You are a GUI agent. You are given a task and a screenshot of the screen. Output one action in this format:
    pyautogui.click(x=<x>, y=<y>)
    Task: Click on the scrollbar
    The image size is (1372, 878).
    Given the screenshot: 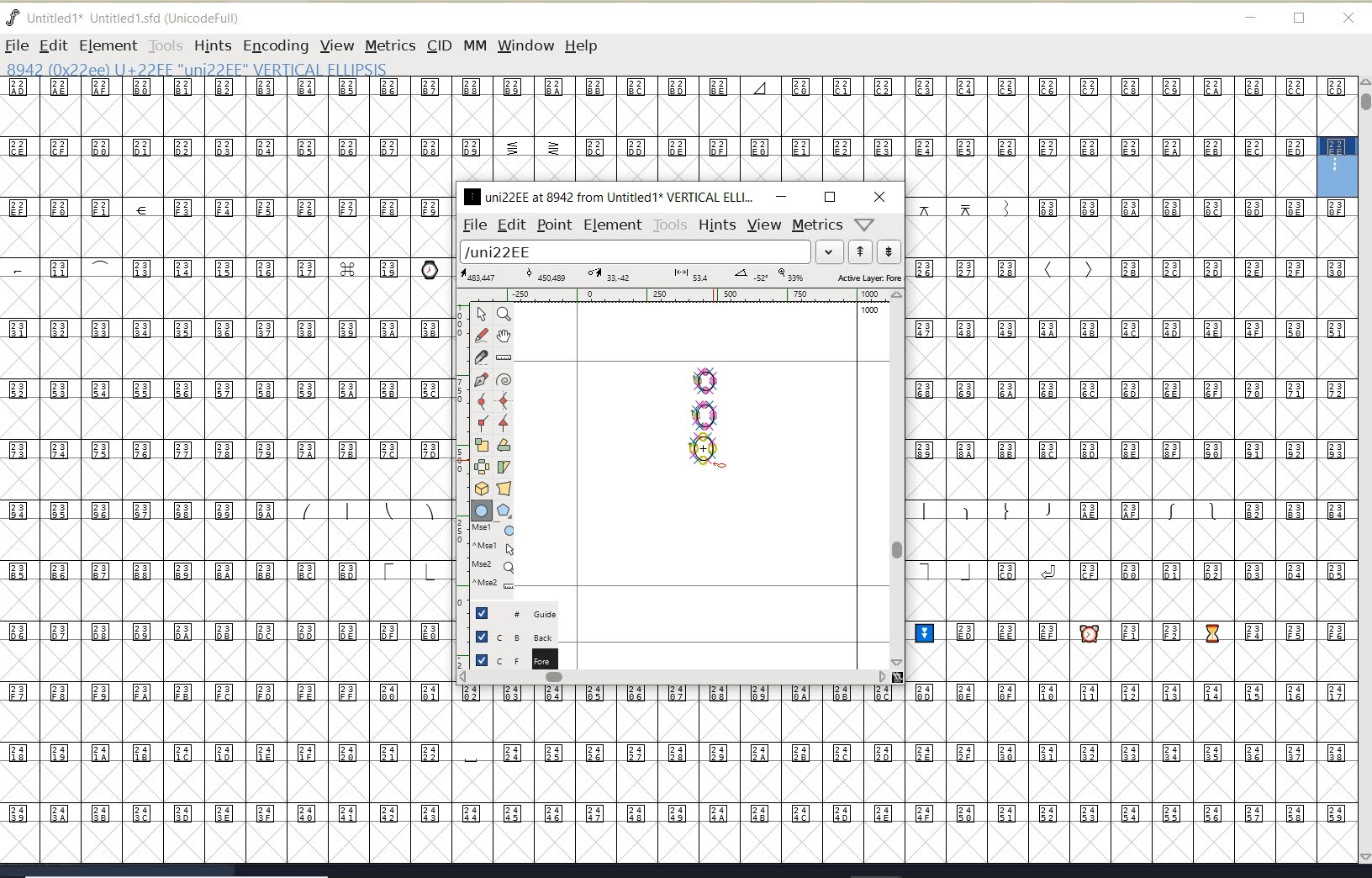 What is the action you would take?
    pyautogui.click(x=895, y=479)
    